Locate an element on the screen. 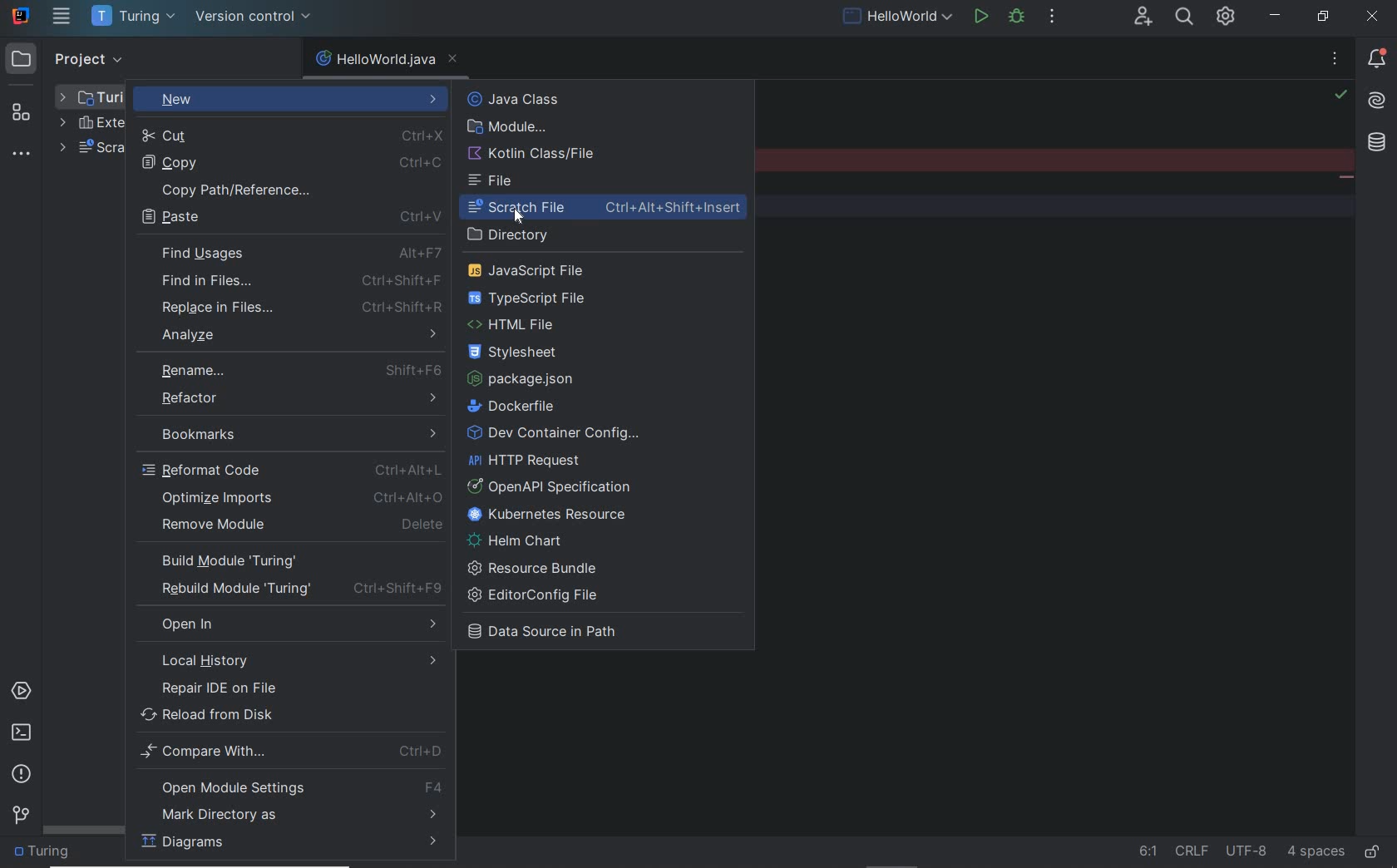 Image resolution: width=1397 pixels, height=868 pixels. scrollbar is located at coordinates (86, 831).